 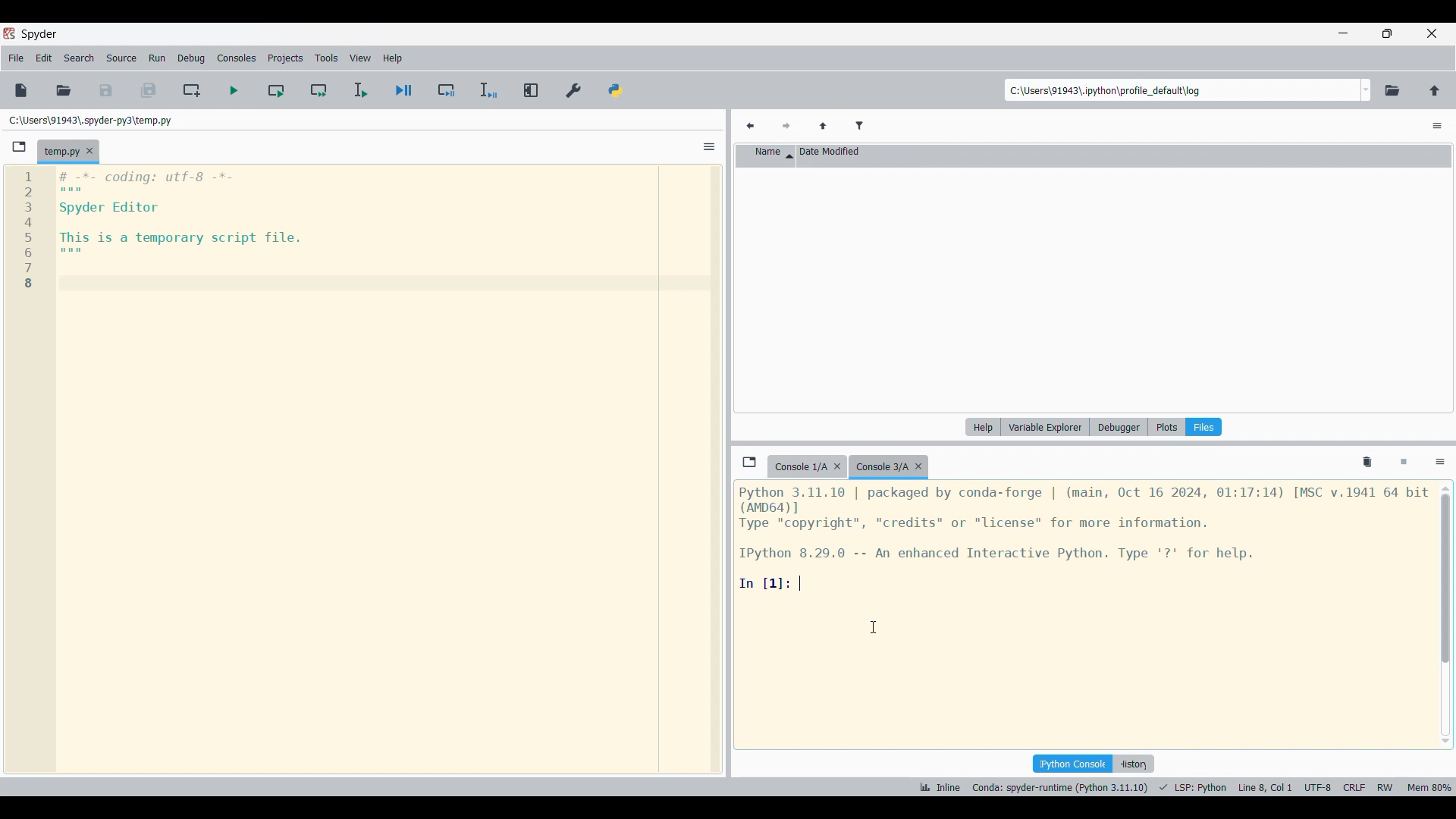 What do you see at coordinates (983, 427) in the screenshot?
I see `Help` at bounding box center [983, 427].